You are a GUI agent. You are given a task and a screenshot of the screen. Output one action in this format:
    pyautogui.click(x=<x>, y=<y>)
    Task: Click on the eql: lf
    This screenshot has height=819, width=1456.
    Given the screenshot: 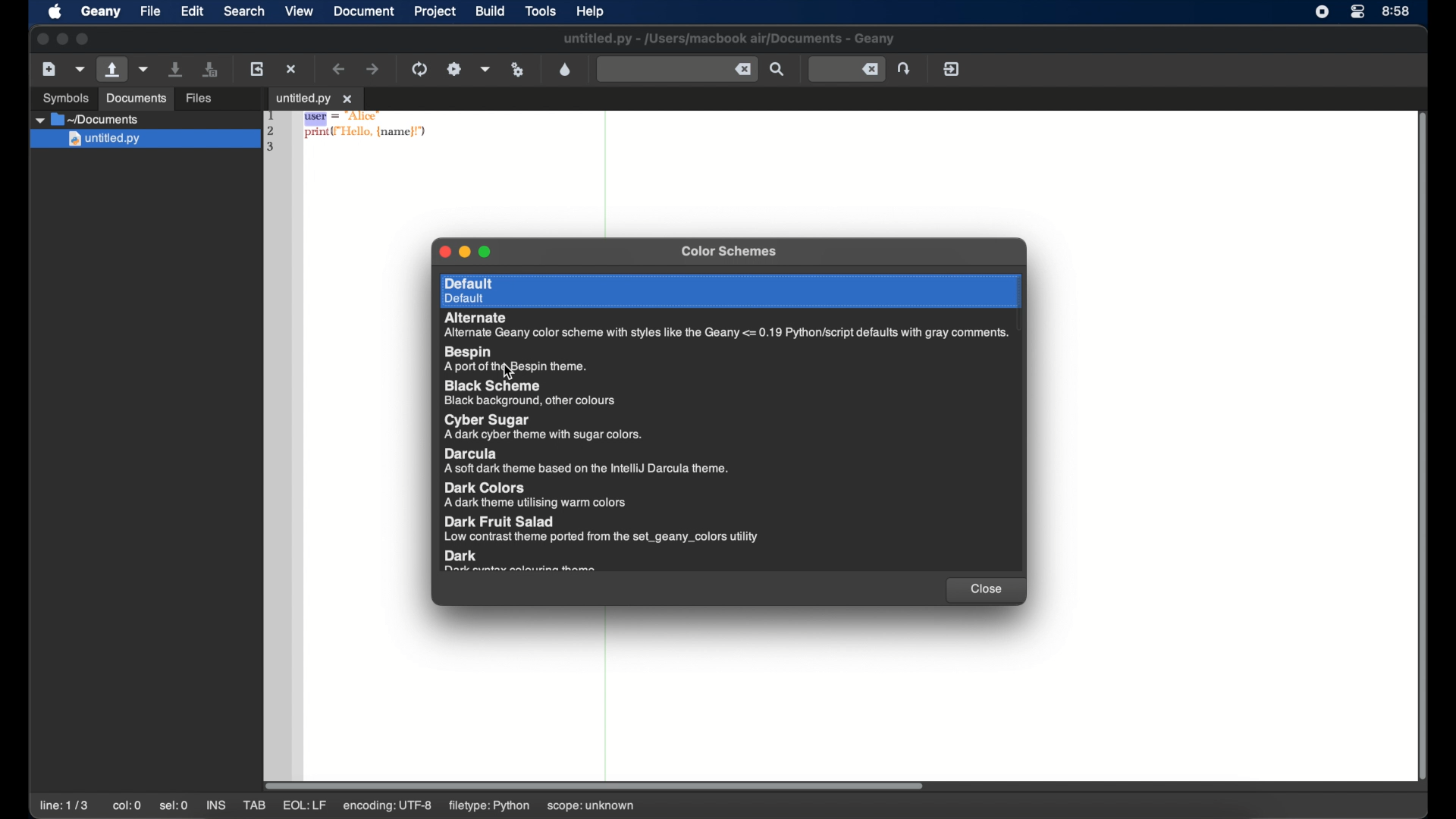 What is the action you would take?
    pyautogui.click(x=305, y=805)
    